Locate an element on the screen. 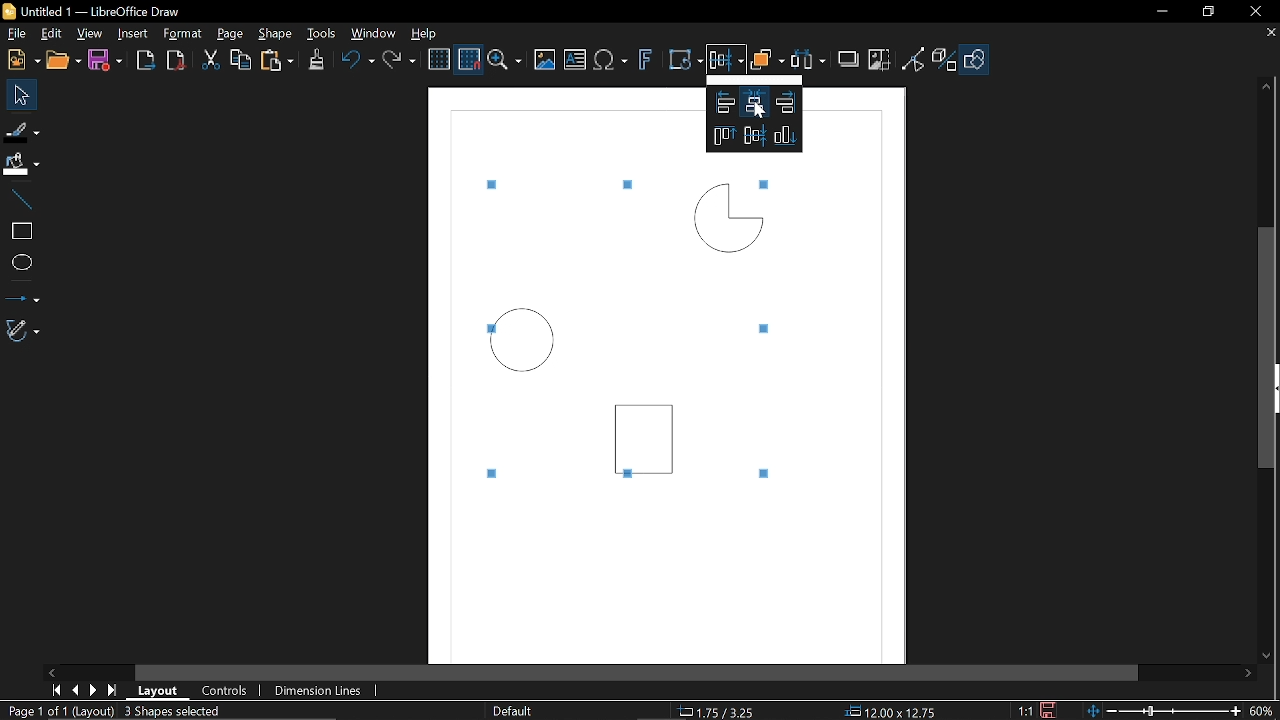 This screenshot has width=1280, height=720. Next page is located at coordinates (93, 690).